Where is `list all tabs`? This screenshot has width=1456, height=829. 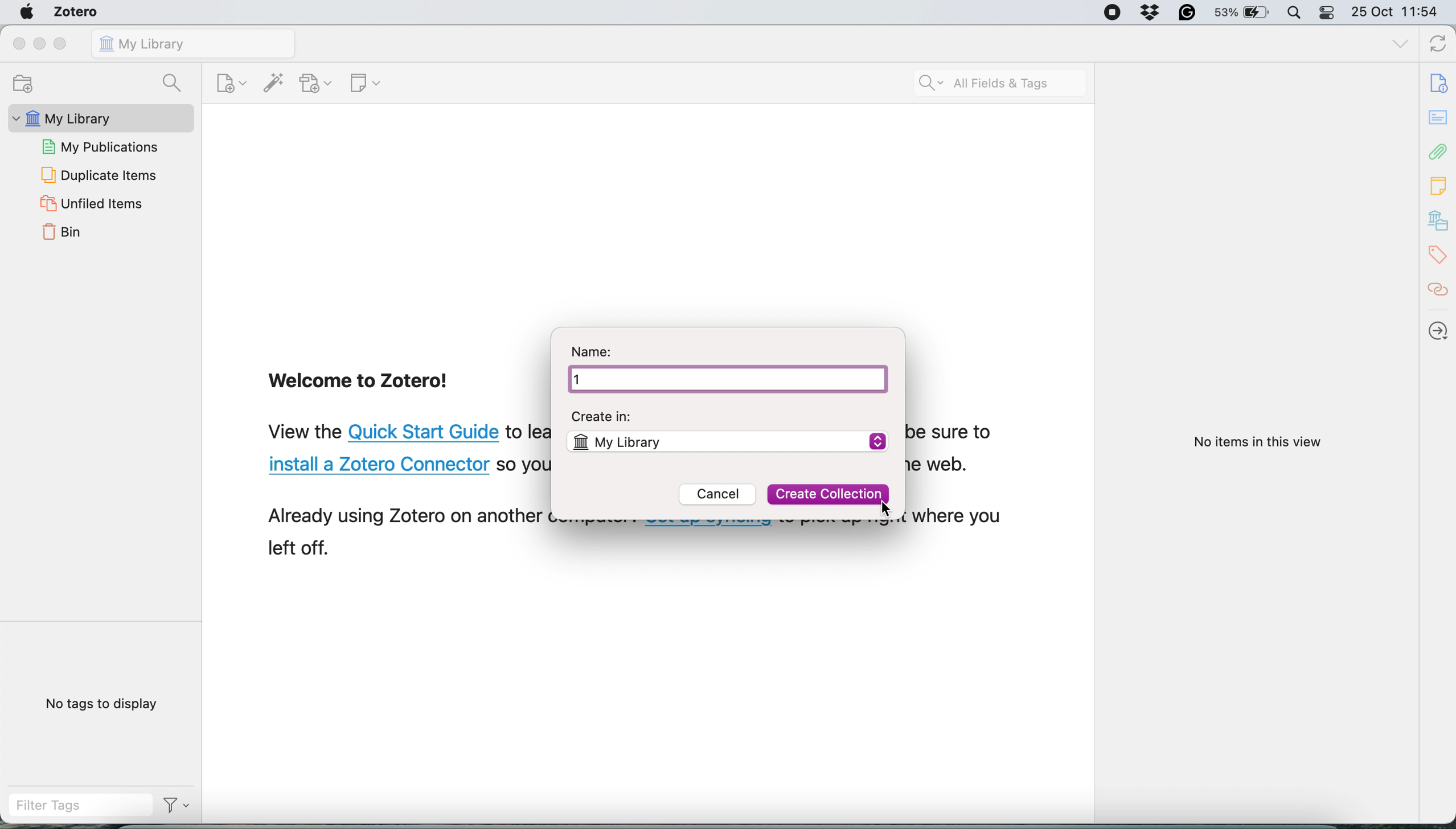
list all tabs is located at coordinates (1398, 46).